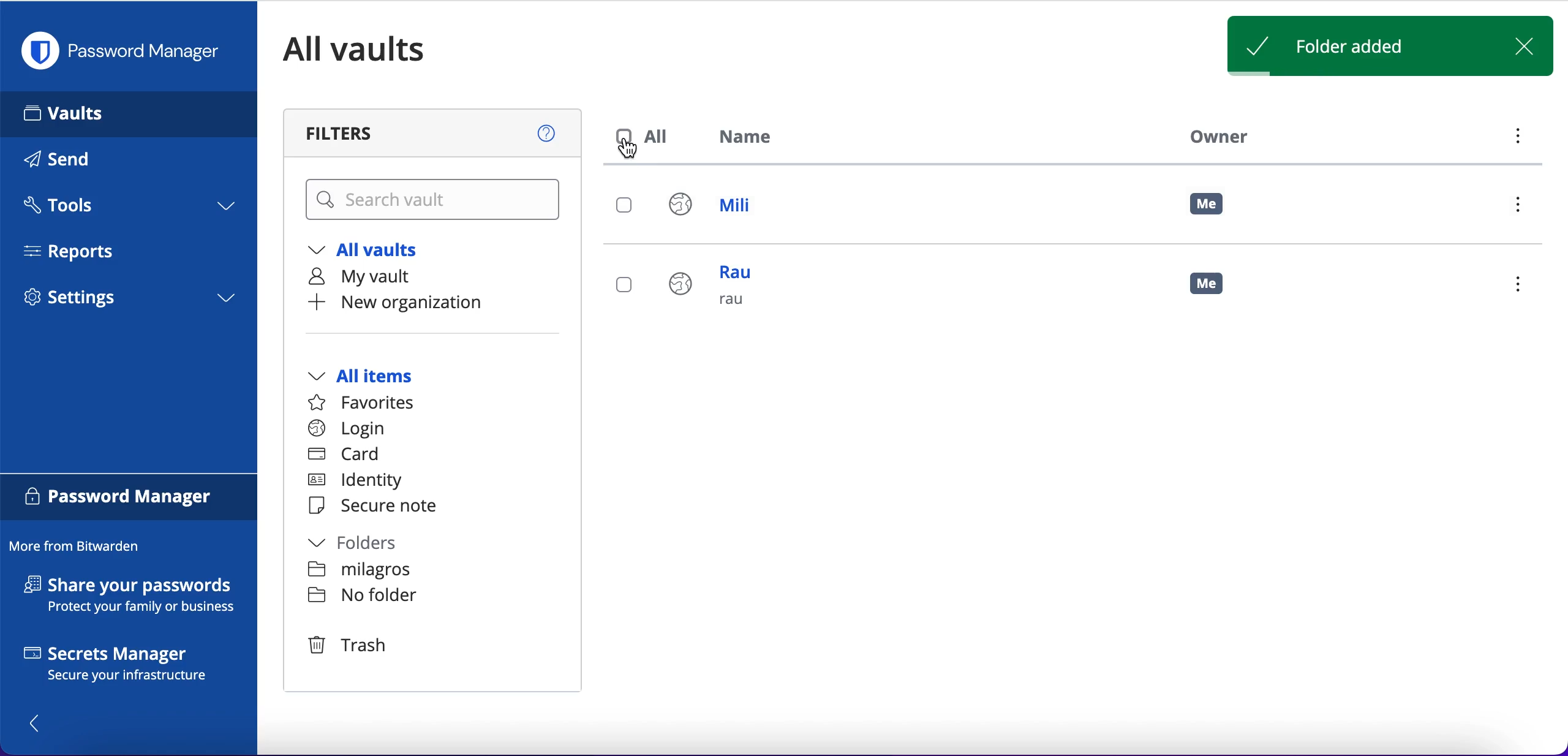 This screenshot has width=1568, height=756. What do you see at coordinates (129, 113) in the screenshot?
I see `vaults` at bounding box center [129, 113].